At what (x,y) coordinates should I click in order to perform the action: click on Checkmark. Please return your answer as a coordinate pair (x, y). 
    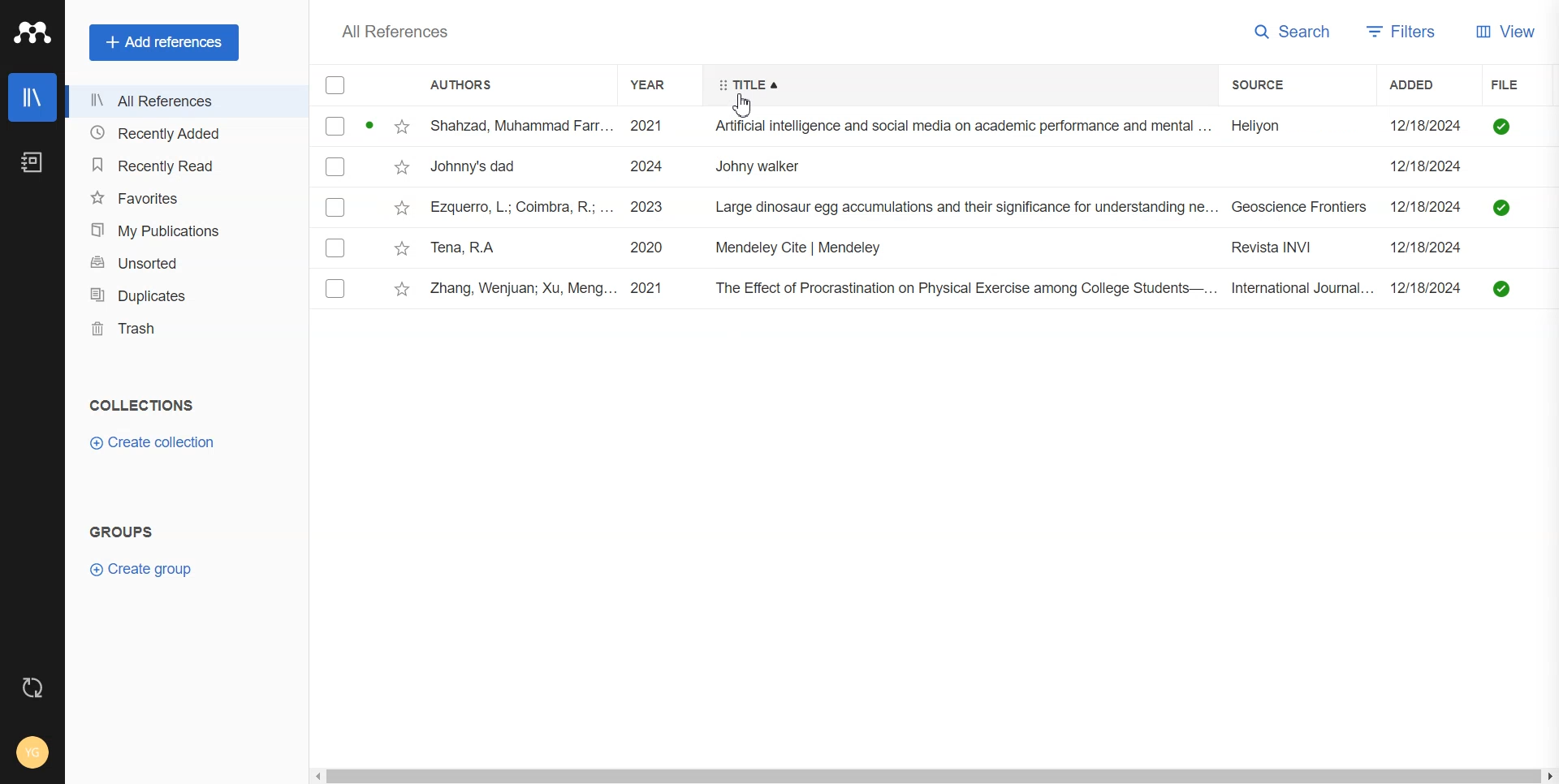
    Looking at the image, I should click on (336, 86).